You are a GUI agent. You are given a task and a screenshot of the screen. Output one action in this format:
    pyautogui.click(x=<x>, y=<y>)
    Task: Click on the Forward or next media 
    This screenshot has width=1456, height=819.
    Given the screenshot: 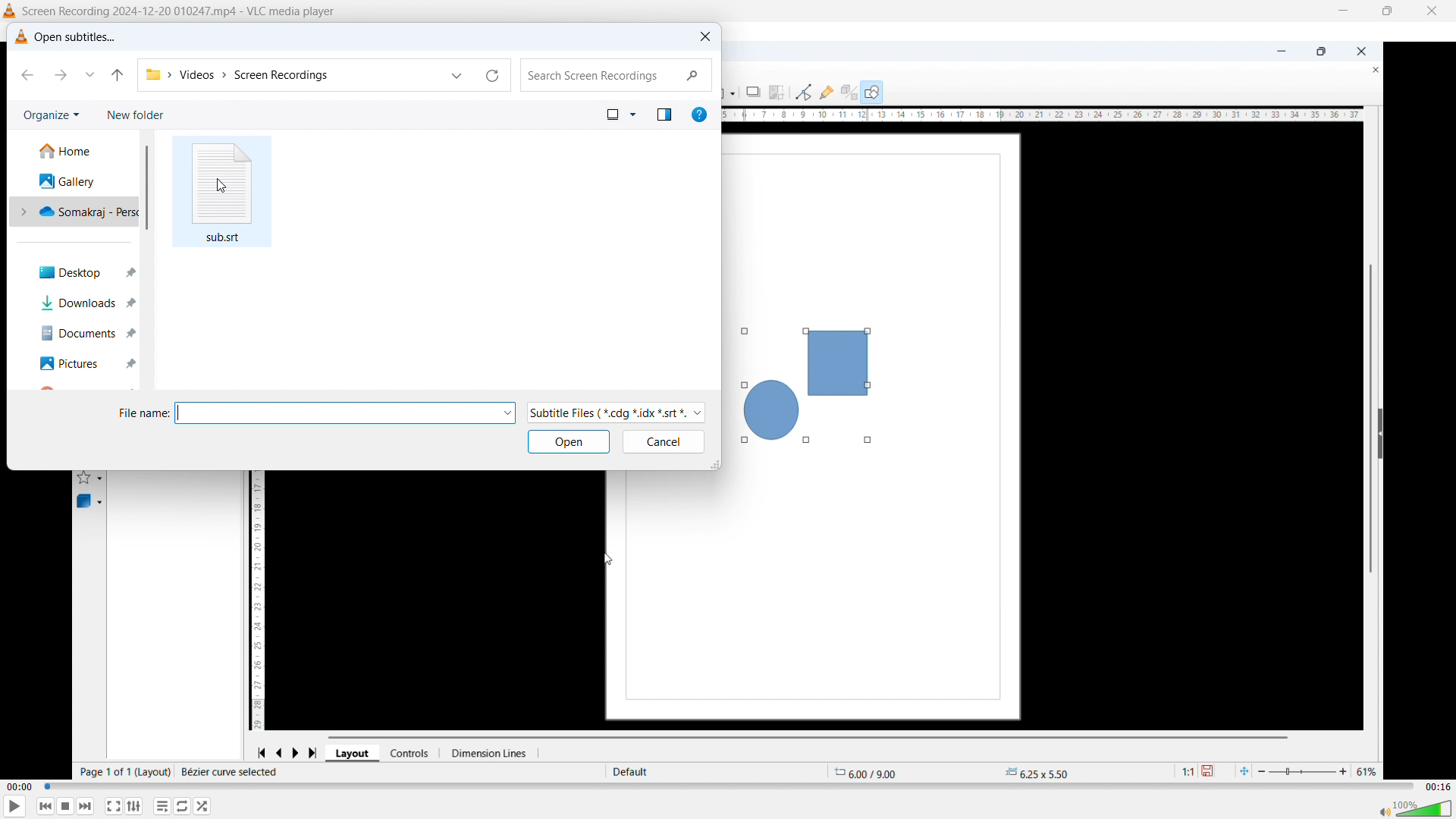 What is the action you would take?
    pyautogui.click(x=86, y=805)
    